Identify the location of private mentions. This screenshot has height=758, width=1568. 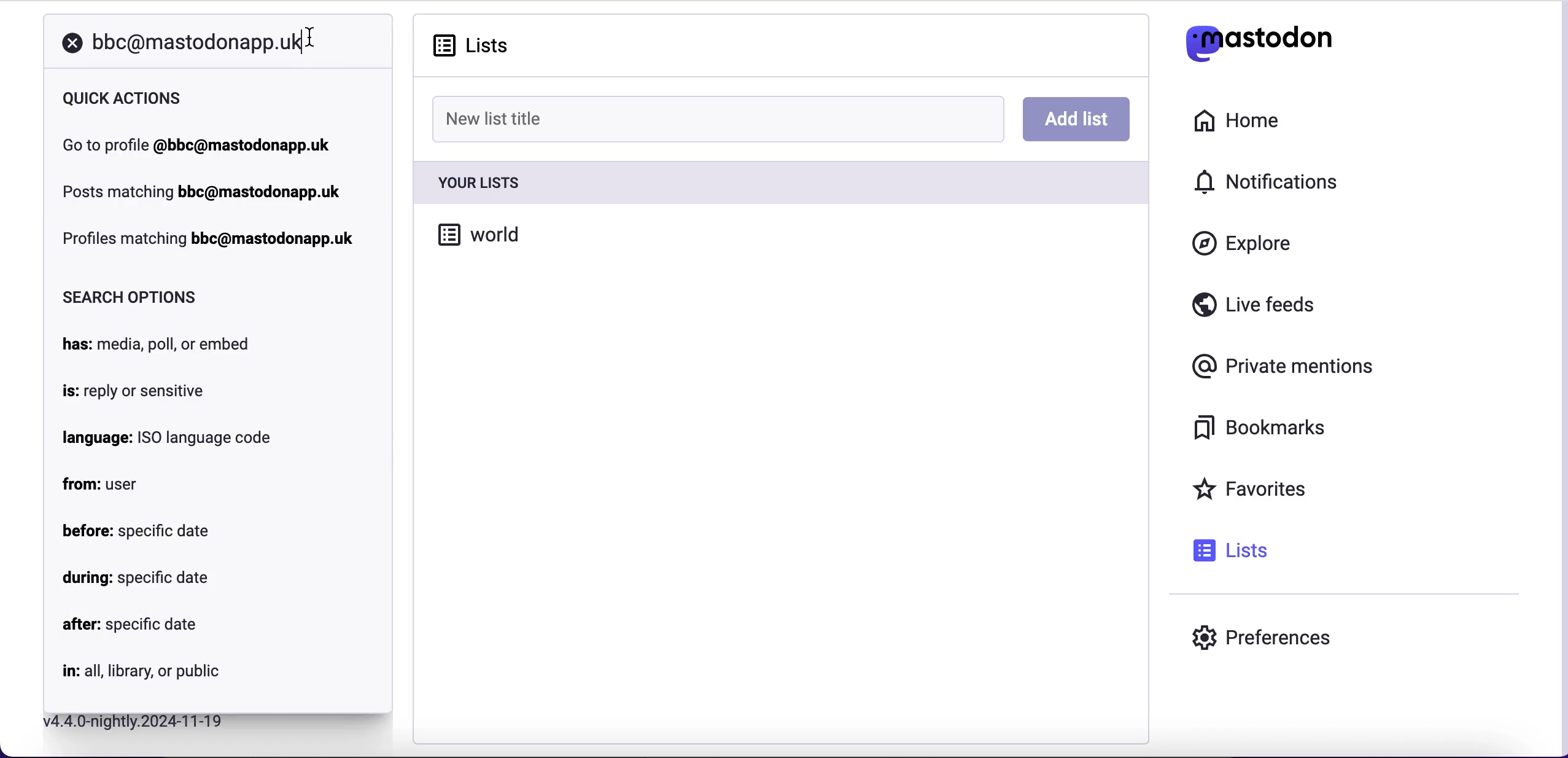
(1287, 363).